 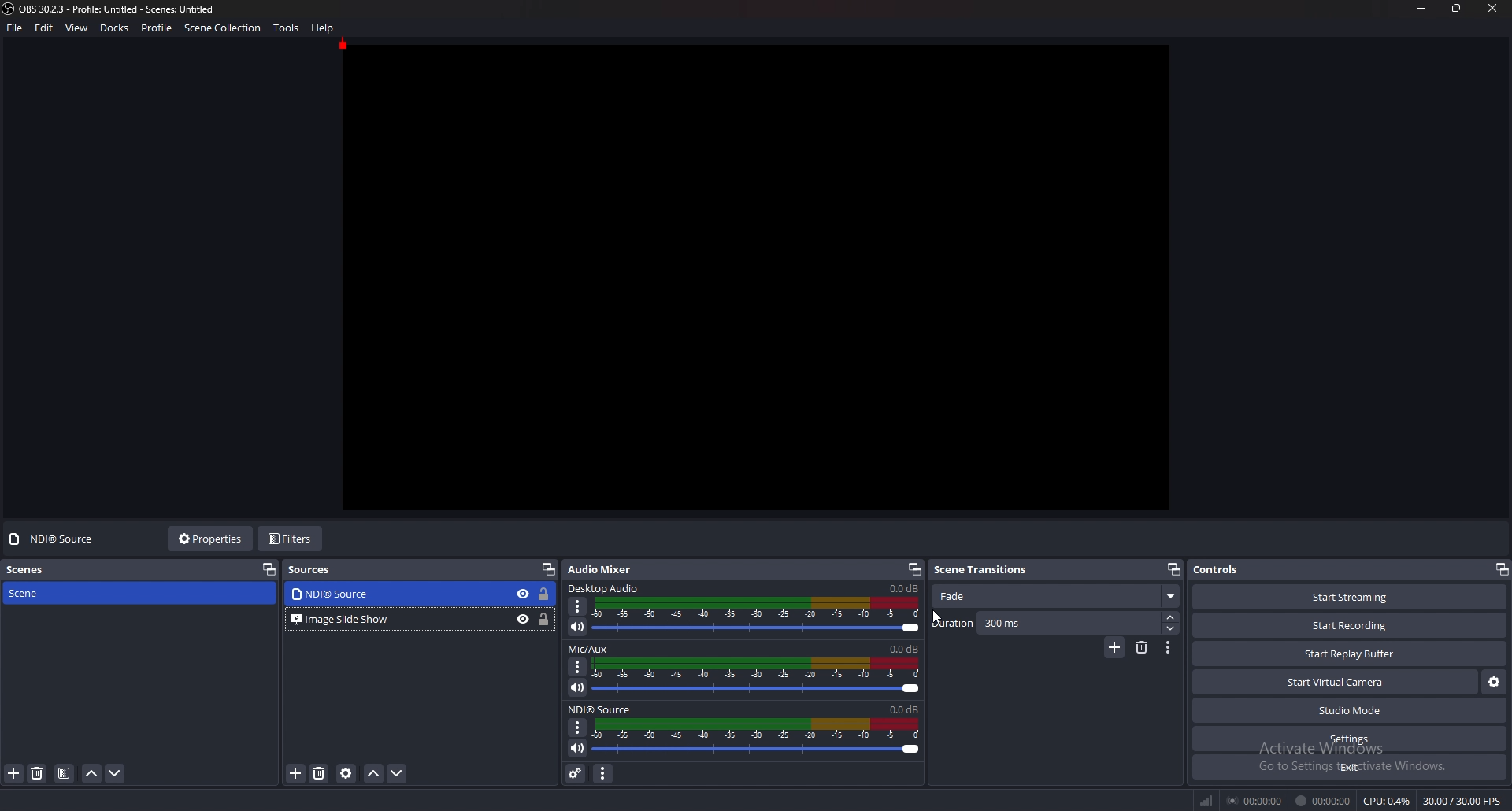 I want to click on decrease duration, so click(x=1171, y=628).